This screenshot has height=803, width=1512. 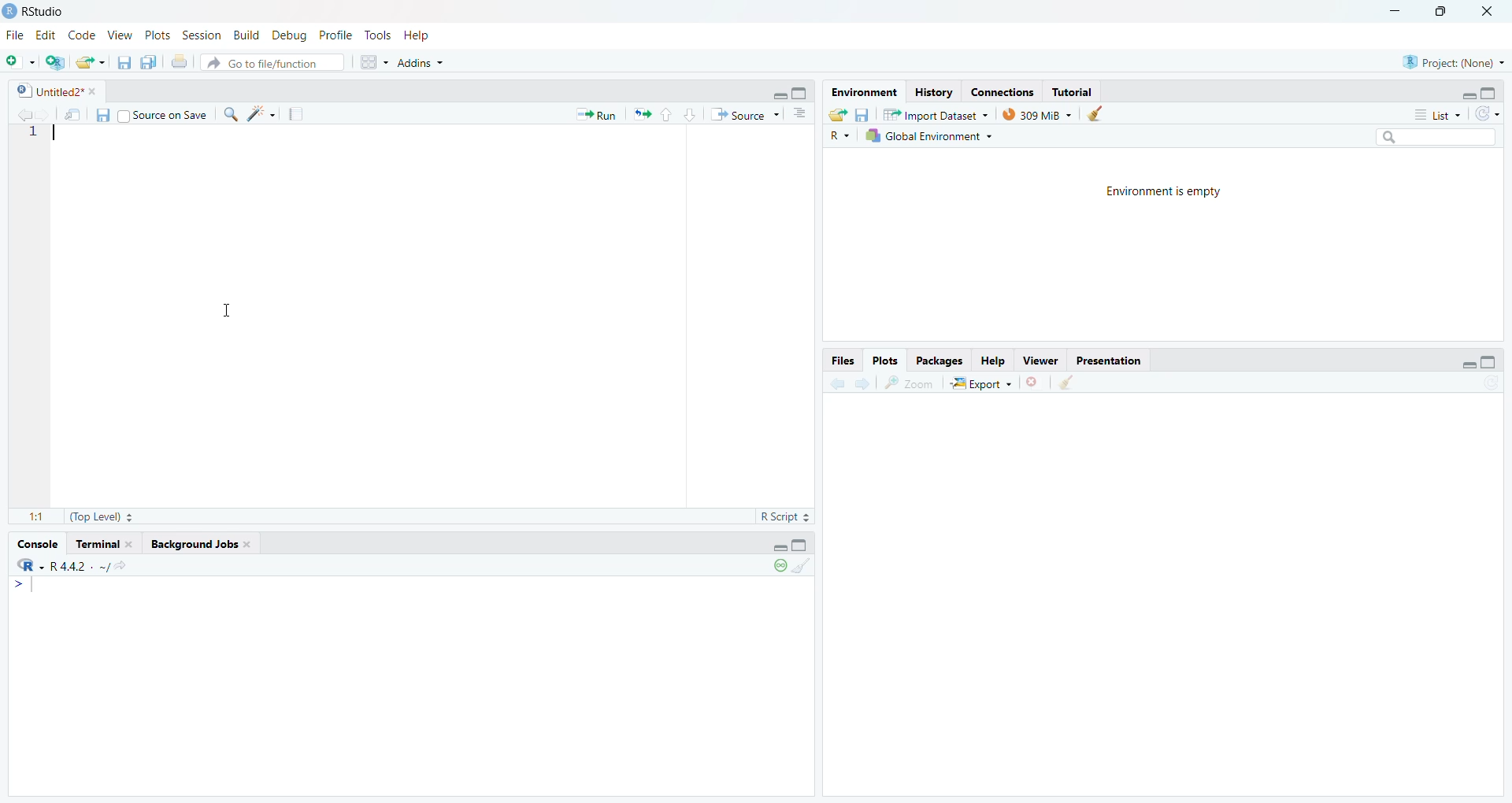 I want to click on maximise, so click(x=1491, y=361).